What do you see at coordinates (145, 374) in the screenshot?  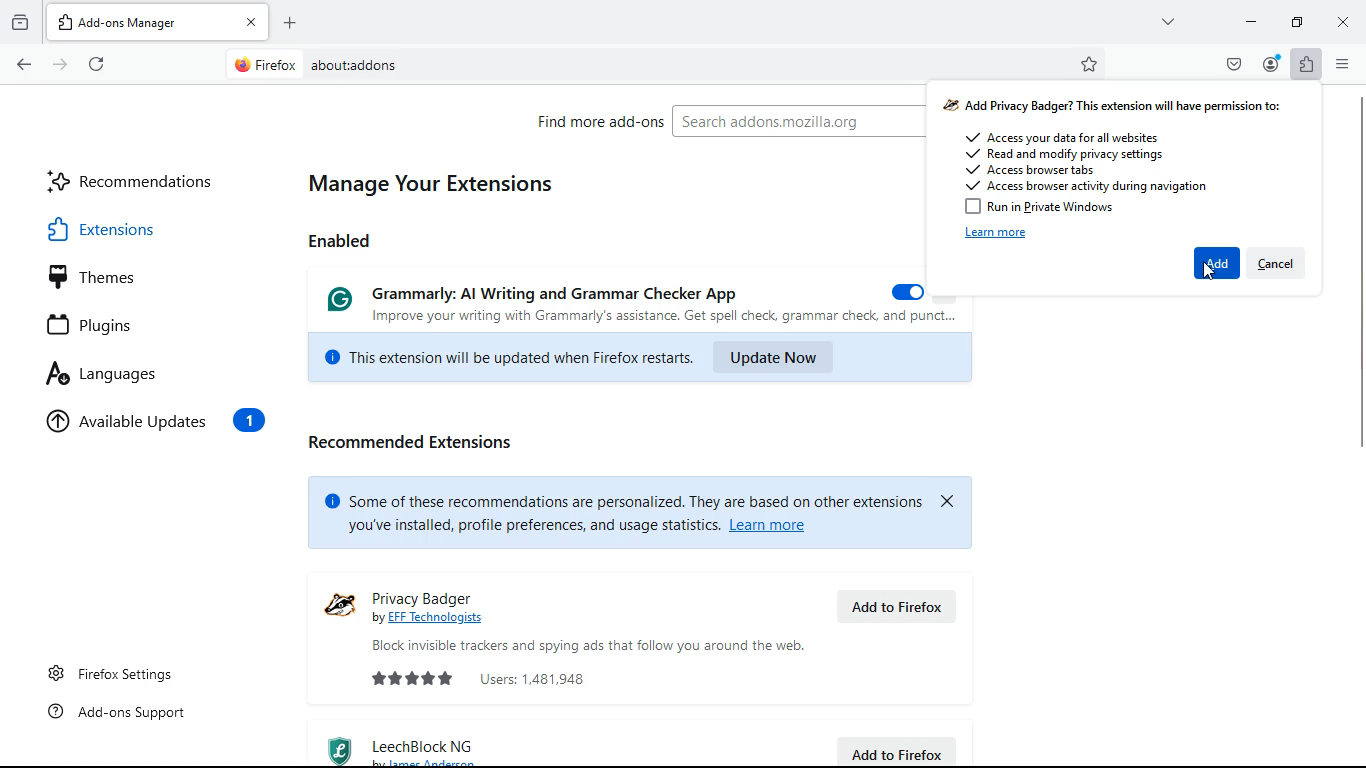 I see `languages` at bounding box center [145, 374].